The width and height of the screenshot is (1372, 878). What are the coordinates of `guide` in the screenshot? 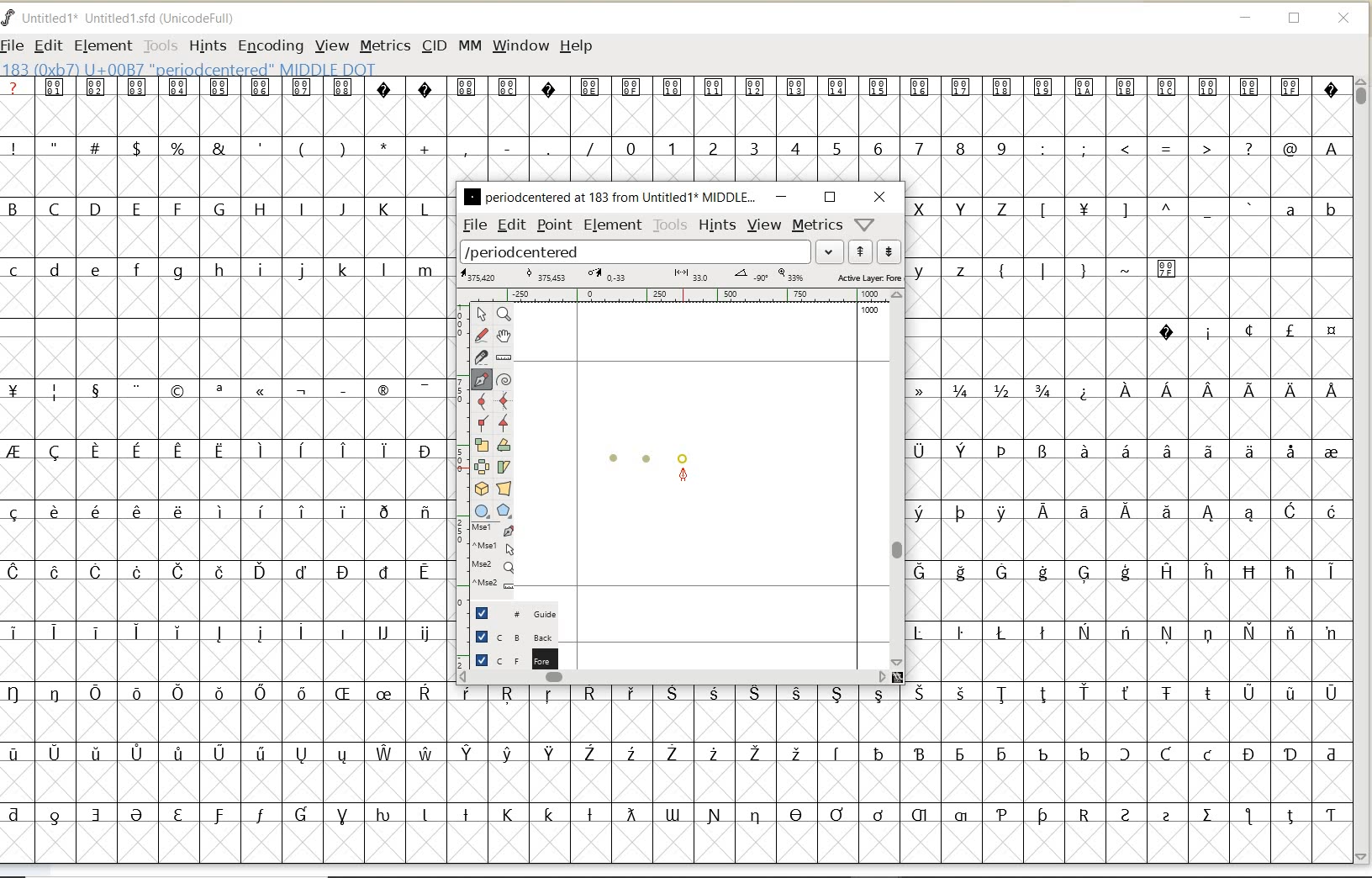 It's located at (510, 614).